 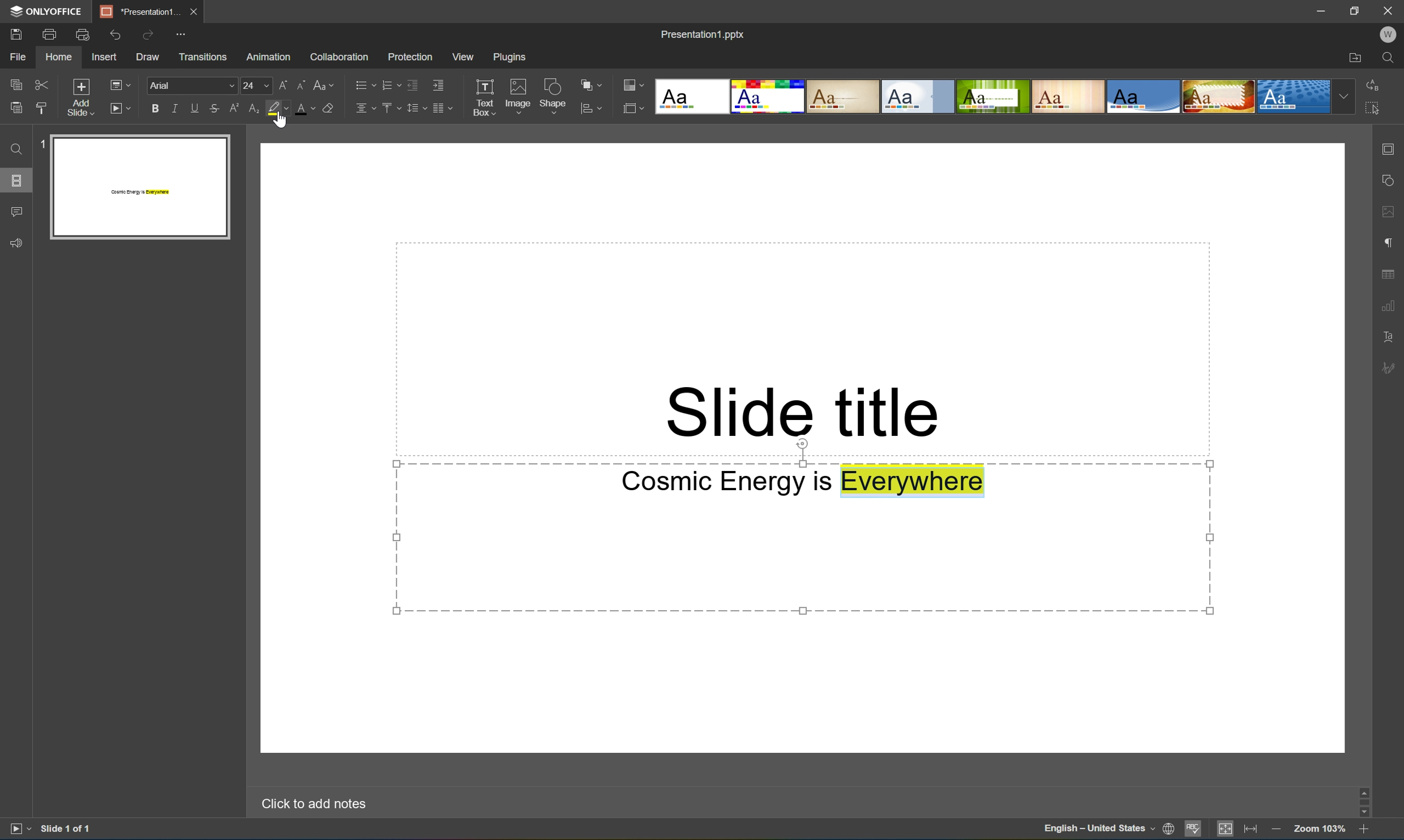 I want to click on Paragraph settings, so click(x=1386, y=243).